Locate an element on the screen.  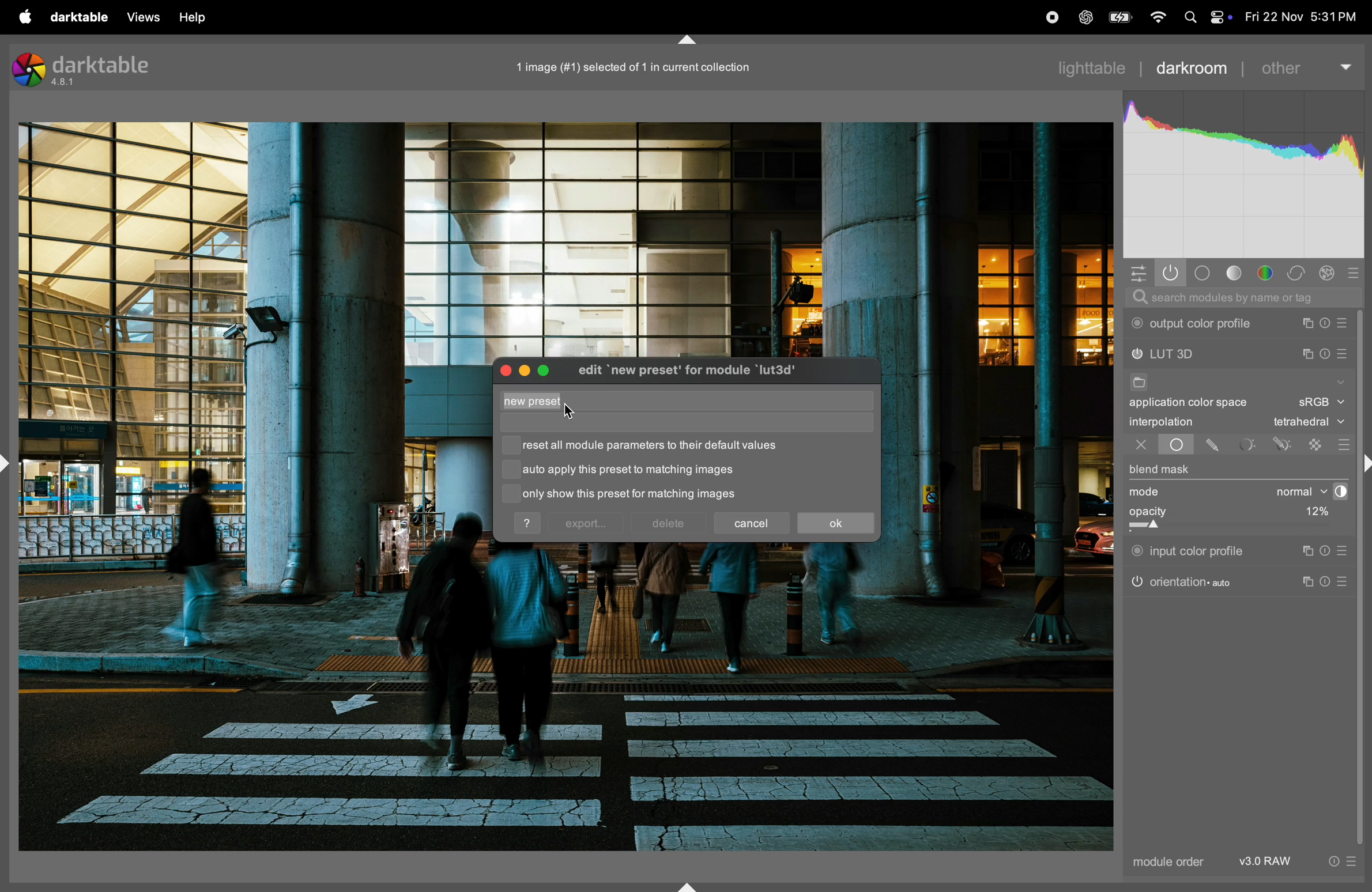
reset parameters is located at coordinates (1329, 323).